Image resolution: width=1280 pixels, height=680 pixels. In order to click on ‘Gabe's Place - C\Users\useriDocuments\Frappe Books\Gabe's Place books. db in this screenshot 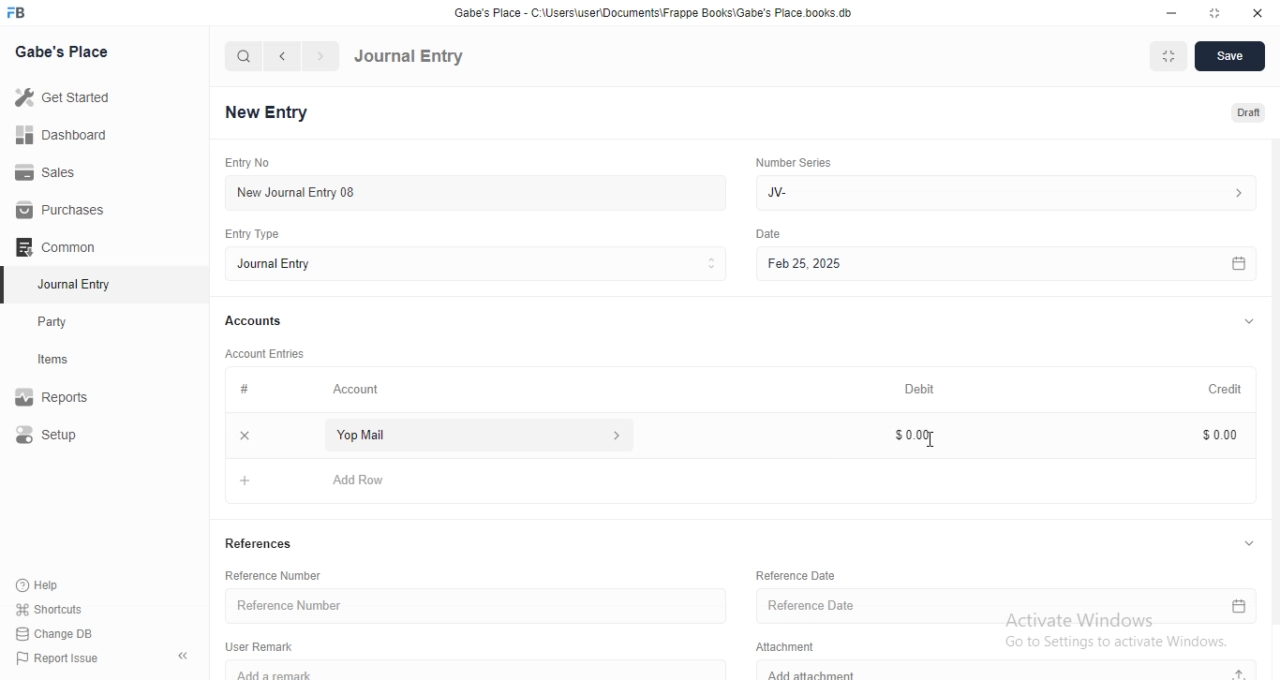, I will do `click(650, 10)`.